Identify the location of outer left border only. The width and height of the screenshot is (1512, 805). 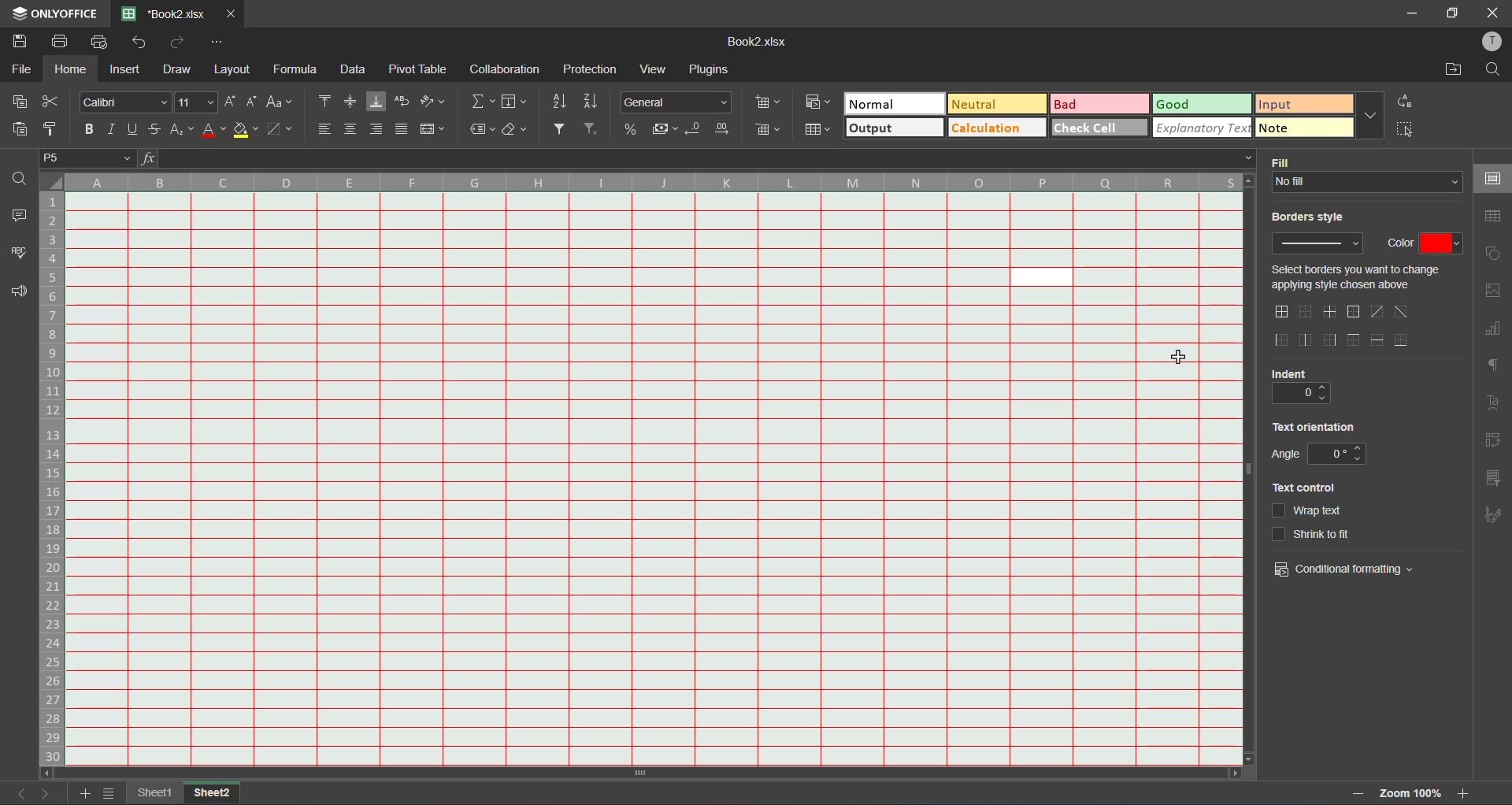
(1284, 339).